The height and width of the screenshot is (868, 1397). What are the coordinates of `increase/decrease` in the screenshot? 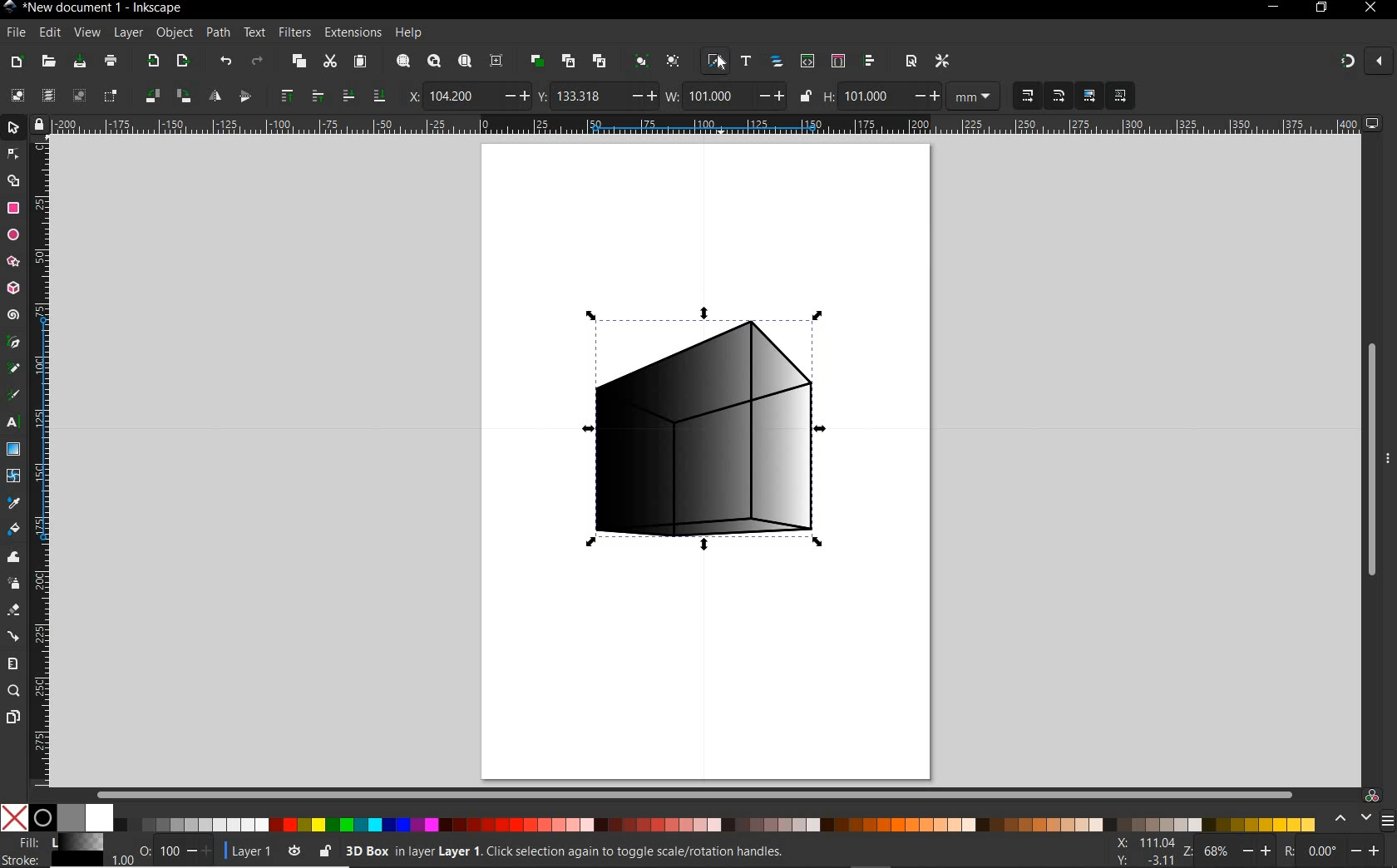 It's located at (772, 96).